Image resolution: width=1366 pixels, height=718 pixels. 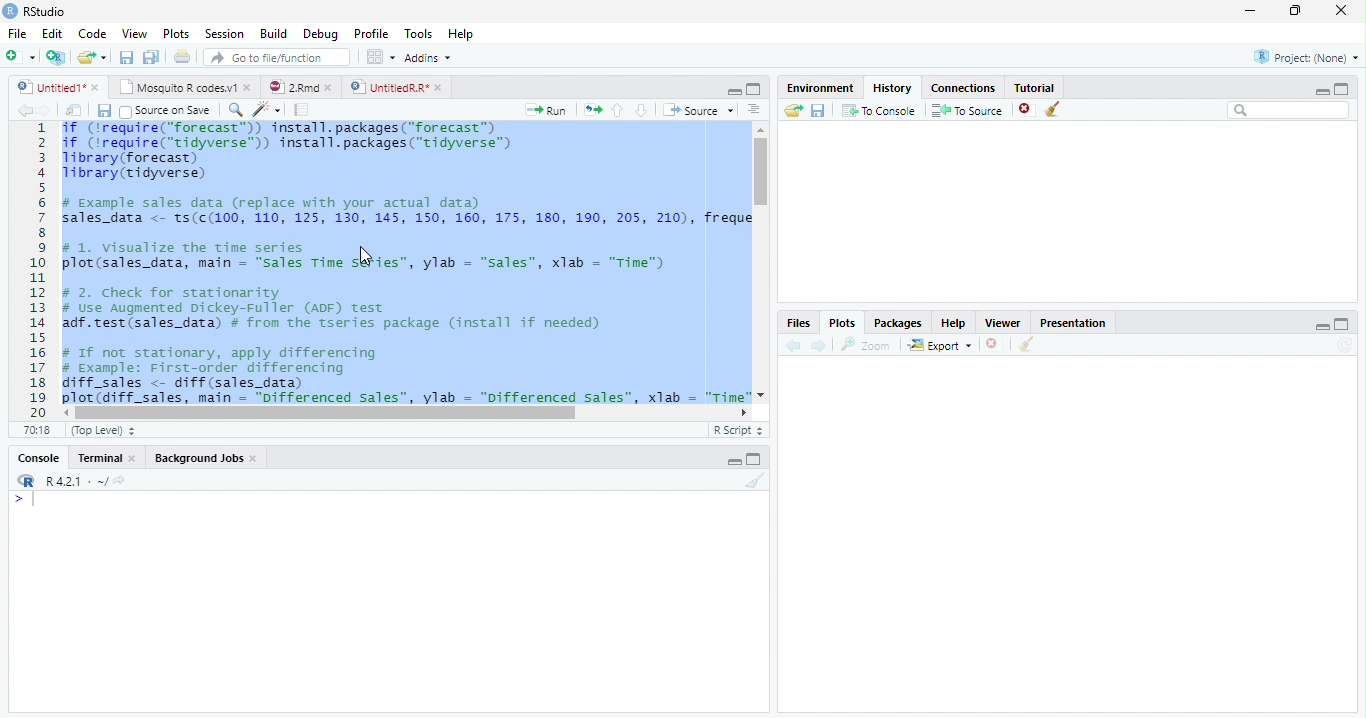 I want to click on Help, so click(x=955, y=324).